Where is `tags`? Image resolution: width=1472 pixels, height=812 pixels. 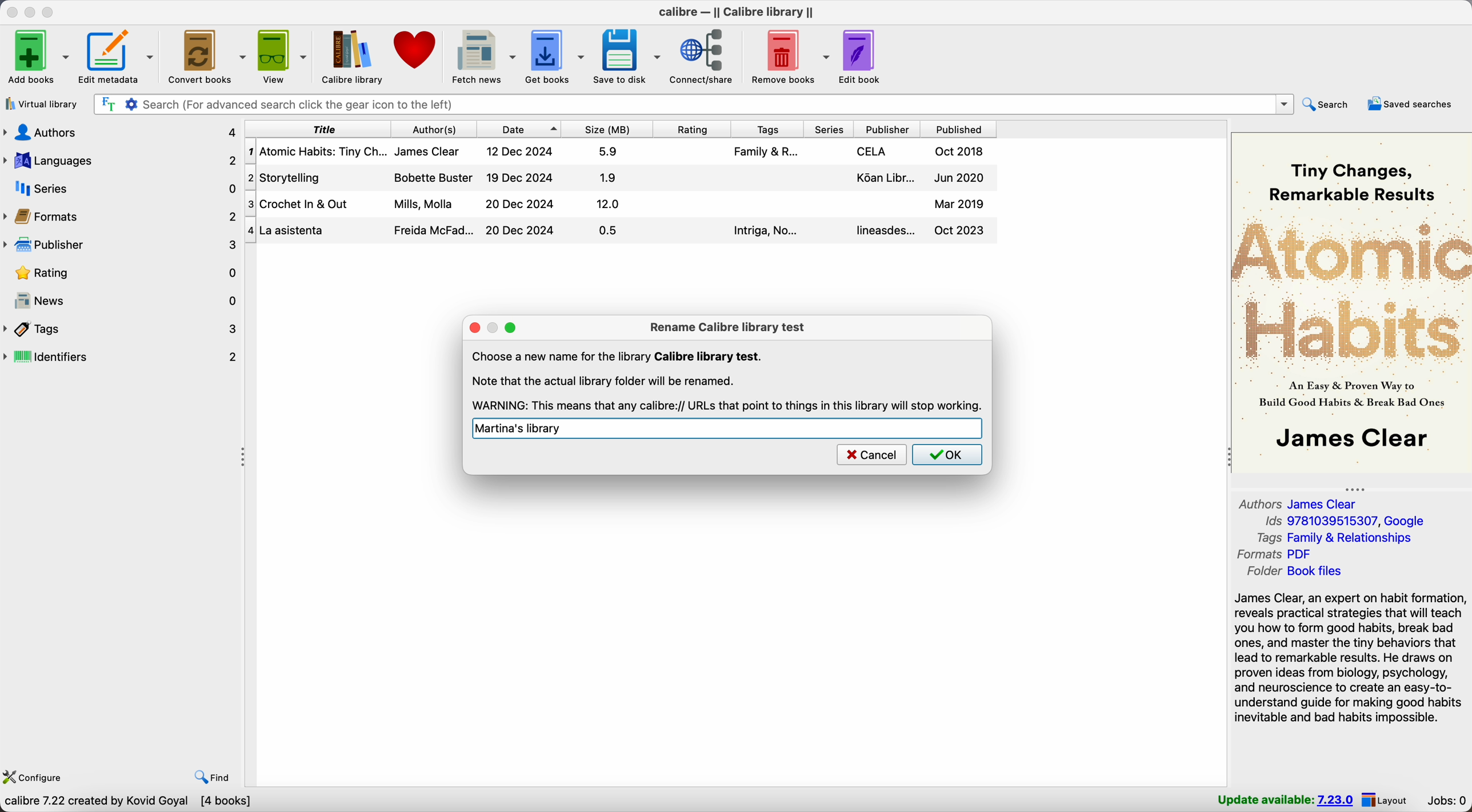 tags is located at coordinates (122, 330).